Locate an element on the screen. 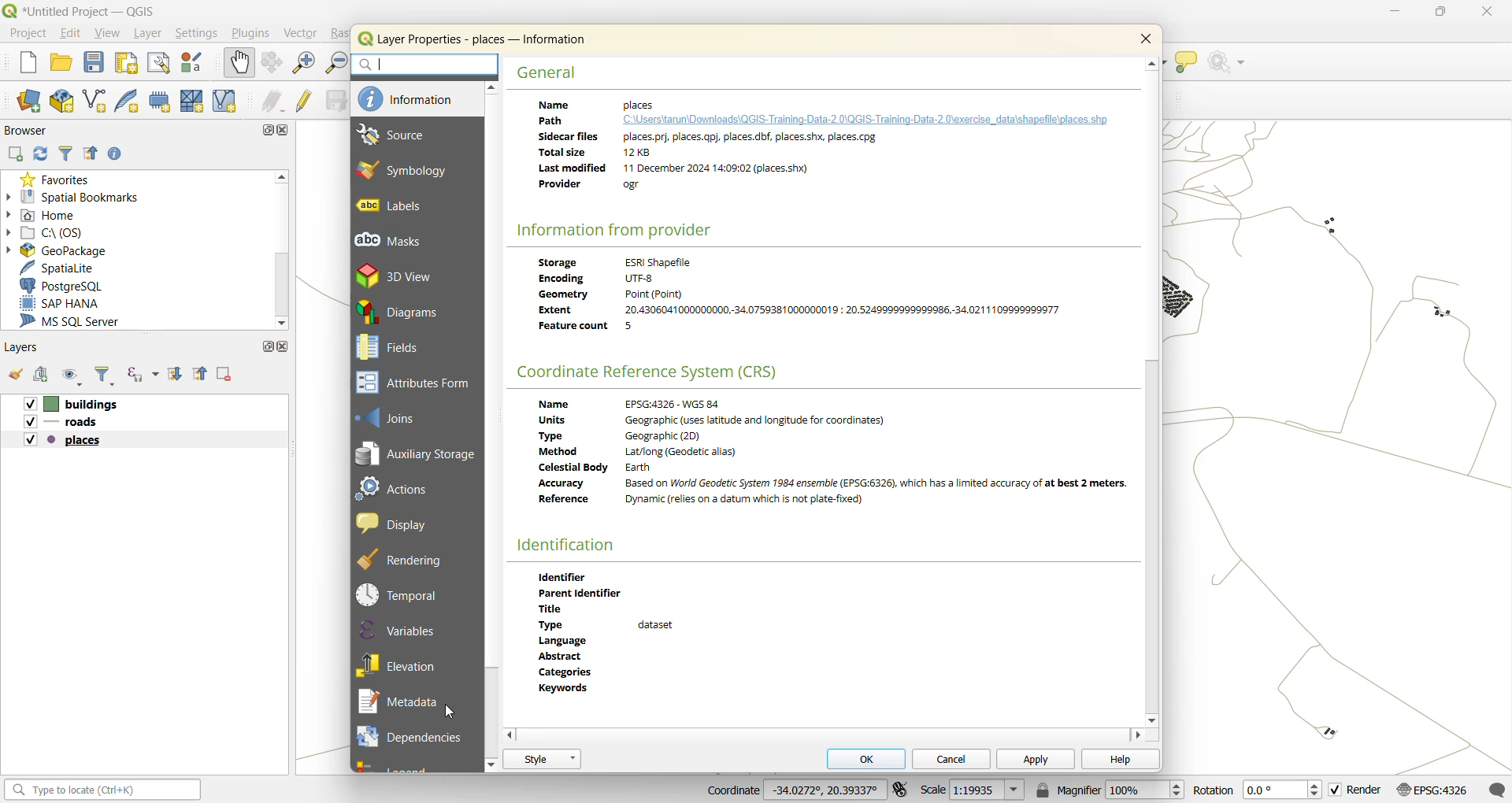  variables is located at coordinates (405, 630).